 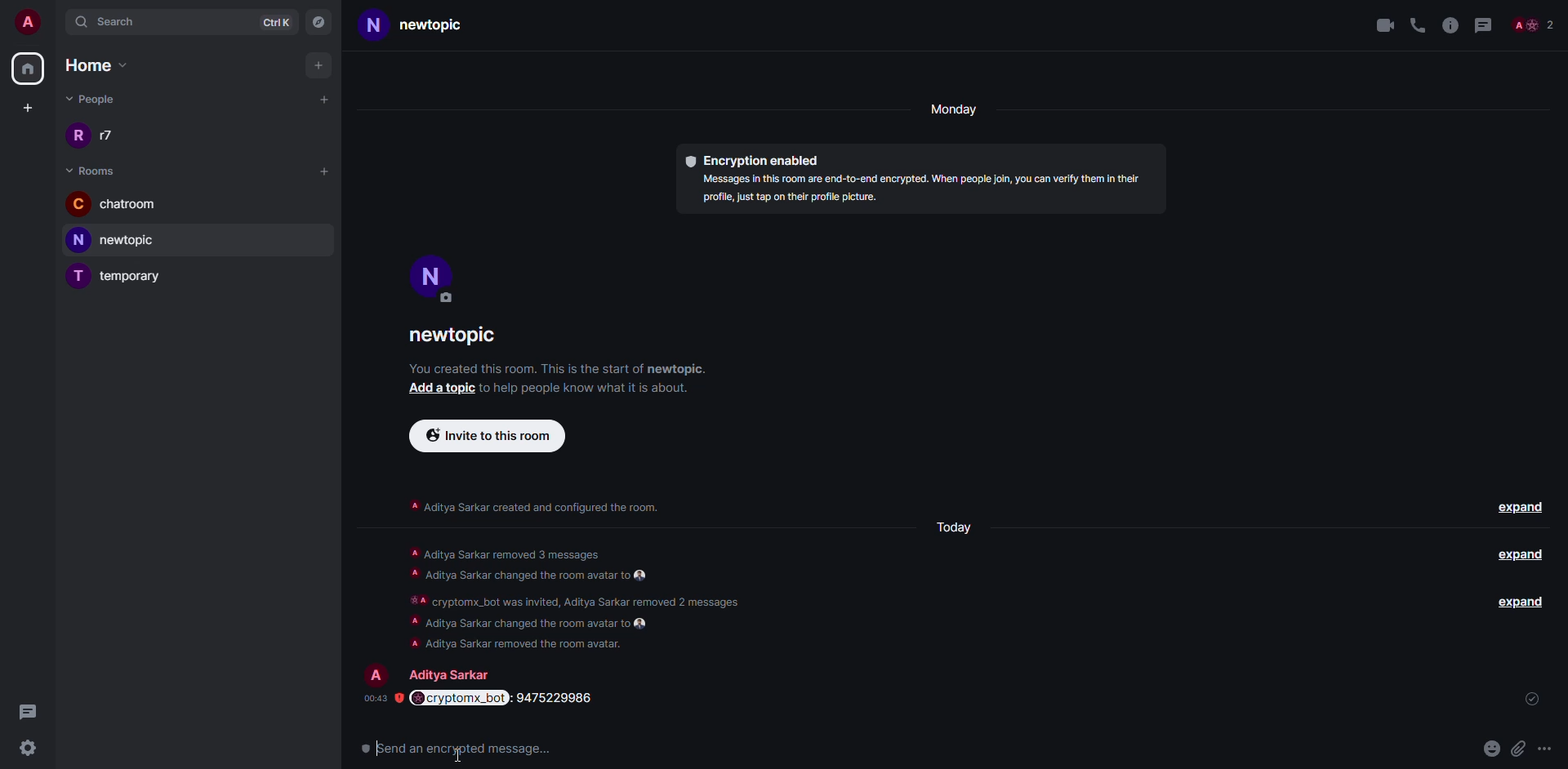 I want to click on attach, so click(x=1521, y=748).